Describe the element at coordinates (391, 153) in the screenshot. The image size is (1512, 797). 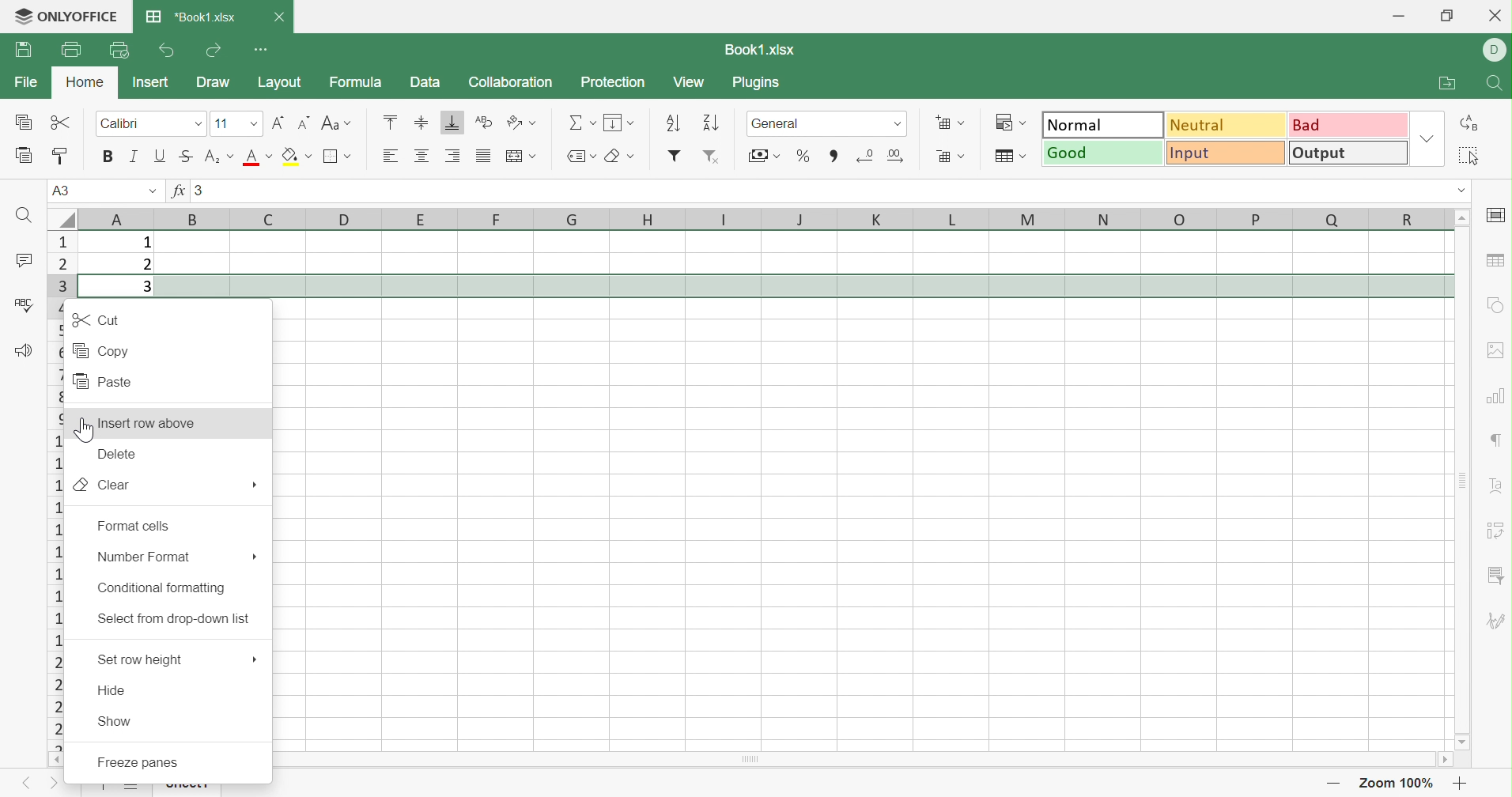
I see `Align Left` at that location.